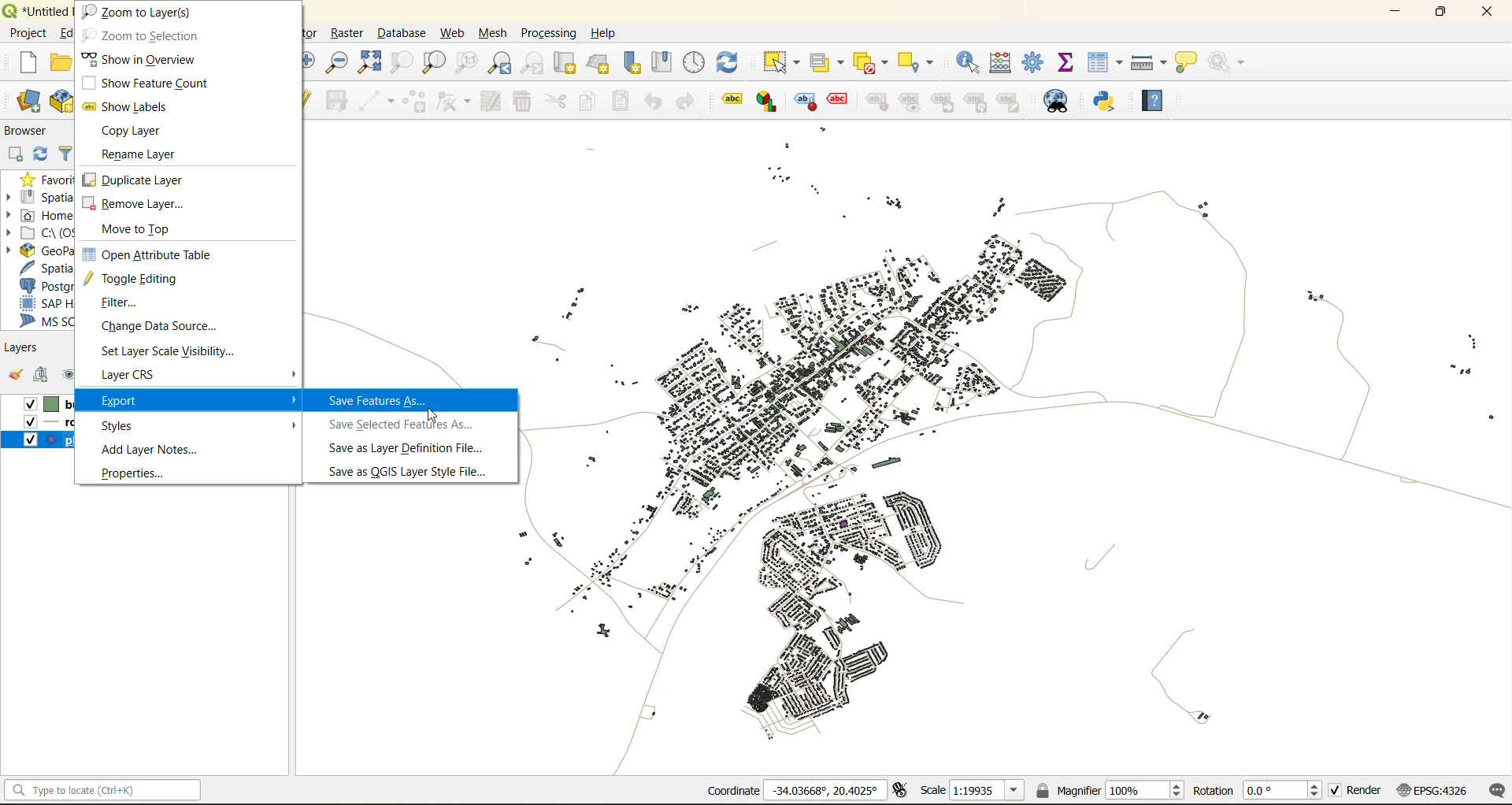  Describe the element at coordinates (1432, 792) in the screenshot. I see `crs` at that location.